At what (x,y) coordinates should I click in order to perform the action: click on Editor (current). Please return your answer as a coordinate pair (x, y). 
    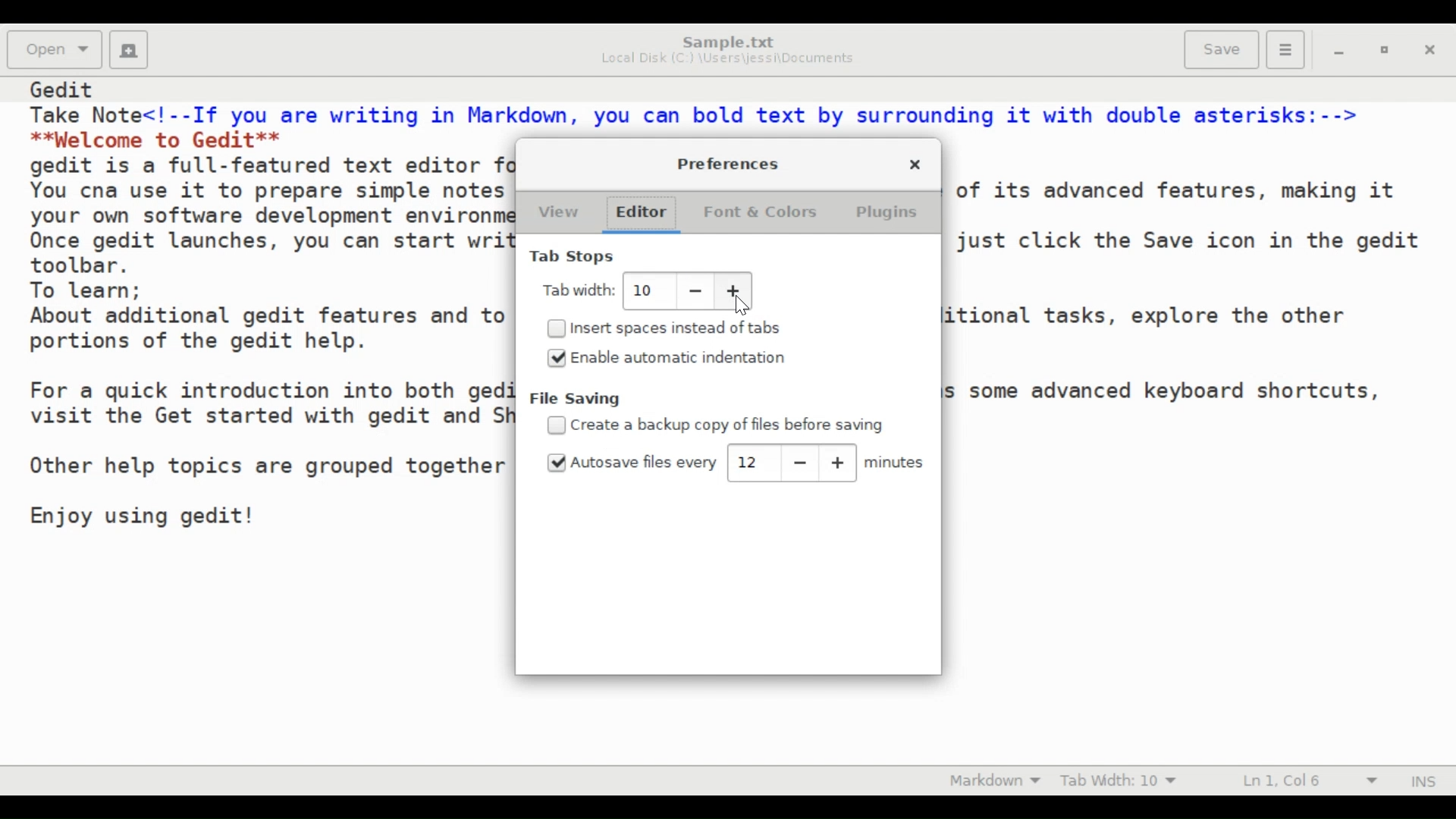
    Looking at the image, I should click on (645, 215).